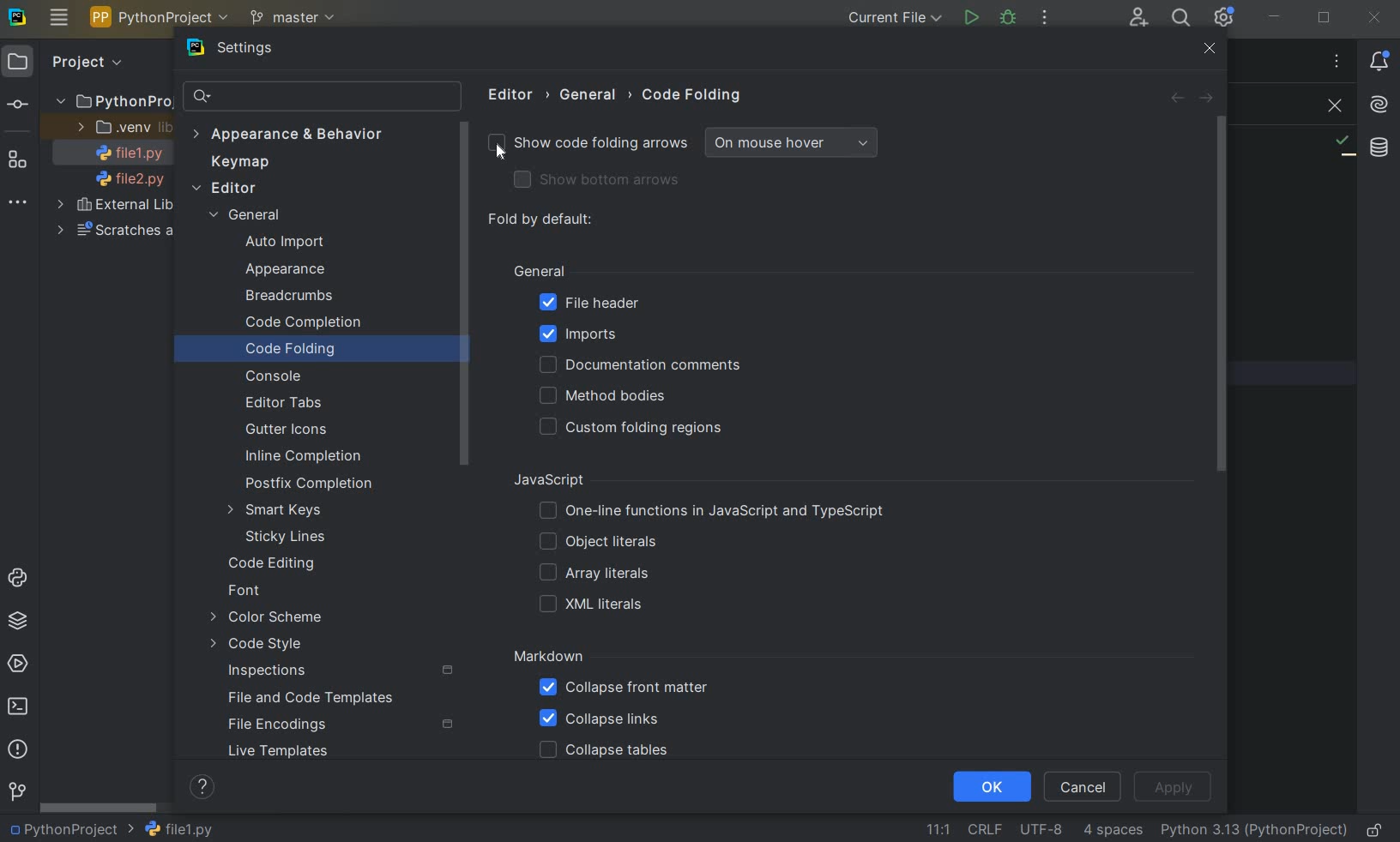  Describe the element at coordinates (117, 207) in the screenshot. I see `EXTERNAL LIBRARIES` at that location.